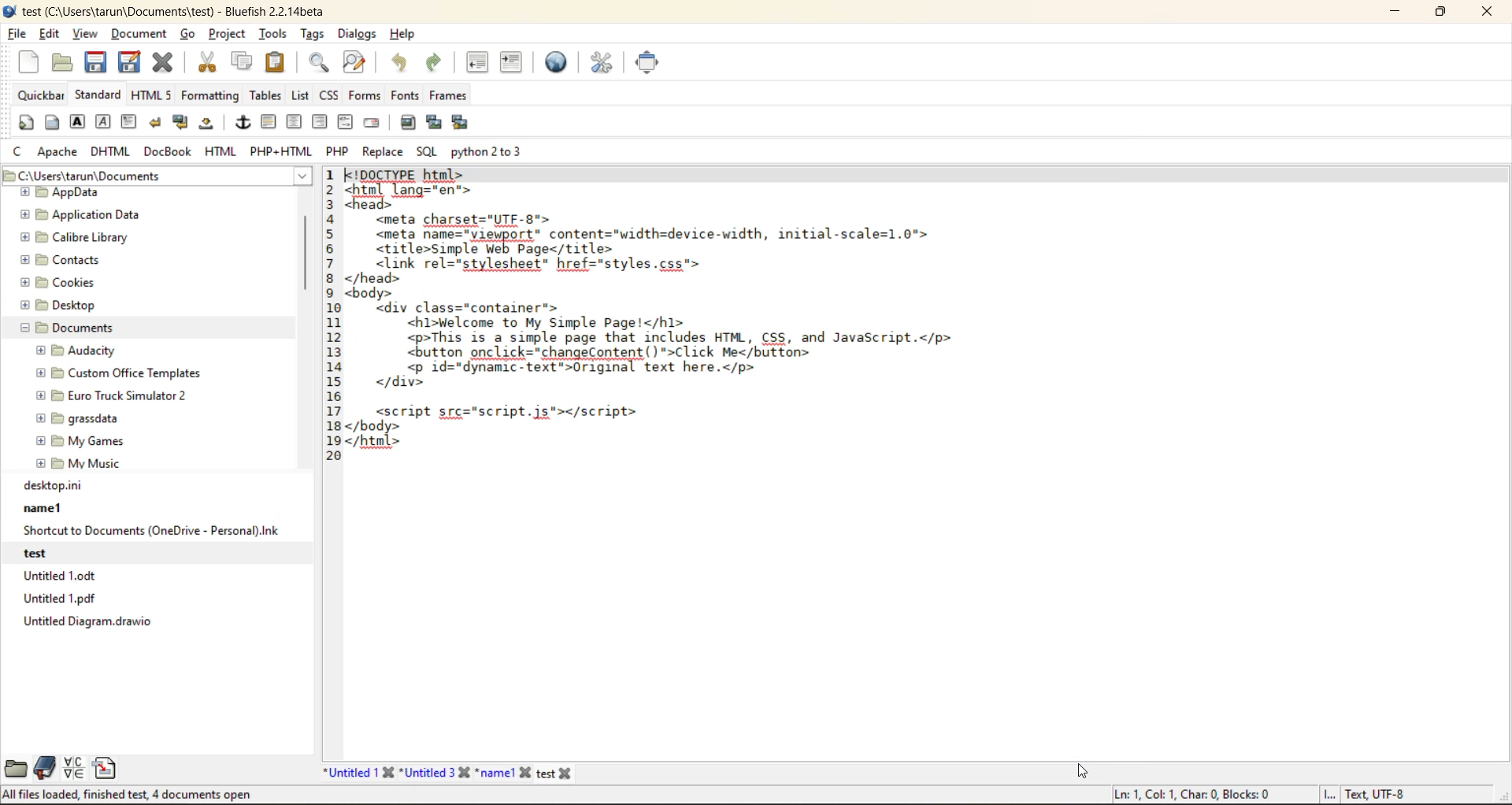 This screenshot has width=1512, height=805. What do you see at coordinates (437, 62) in the screenshot?
I see `redo` at bounding box center [437, 62].